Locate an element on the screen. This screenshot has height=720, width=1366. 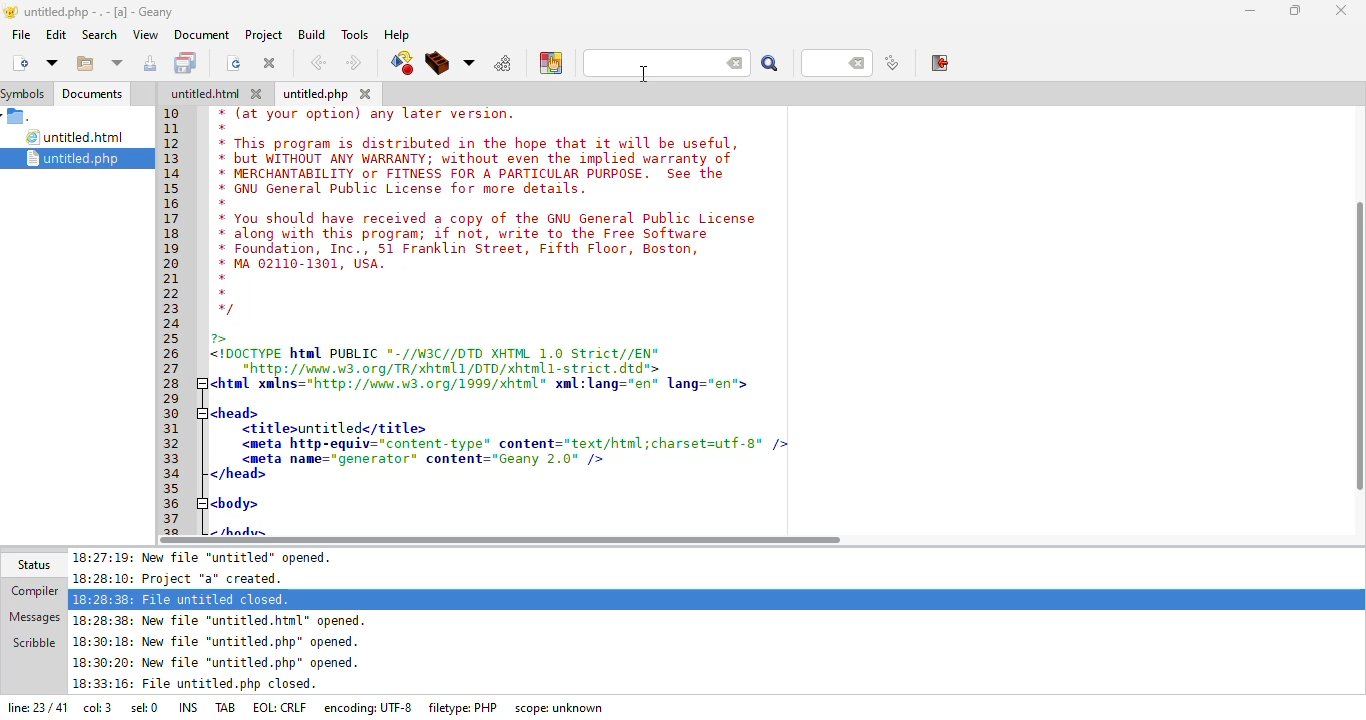
<title>untitled</title> is located at coordinates (335, 429).